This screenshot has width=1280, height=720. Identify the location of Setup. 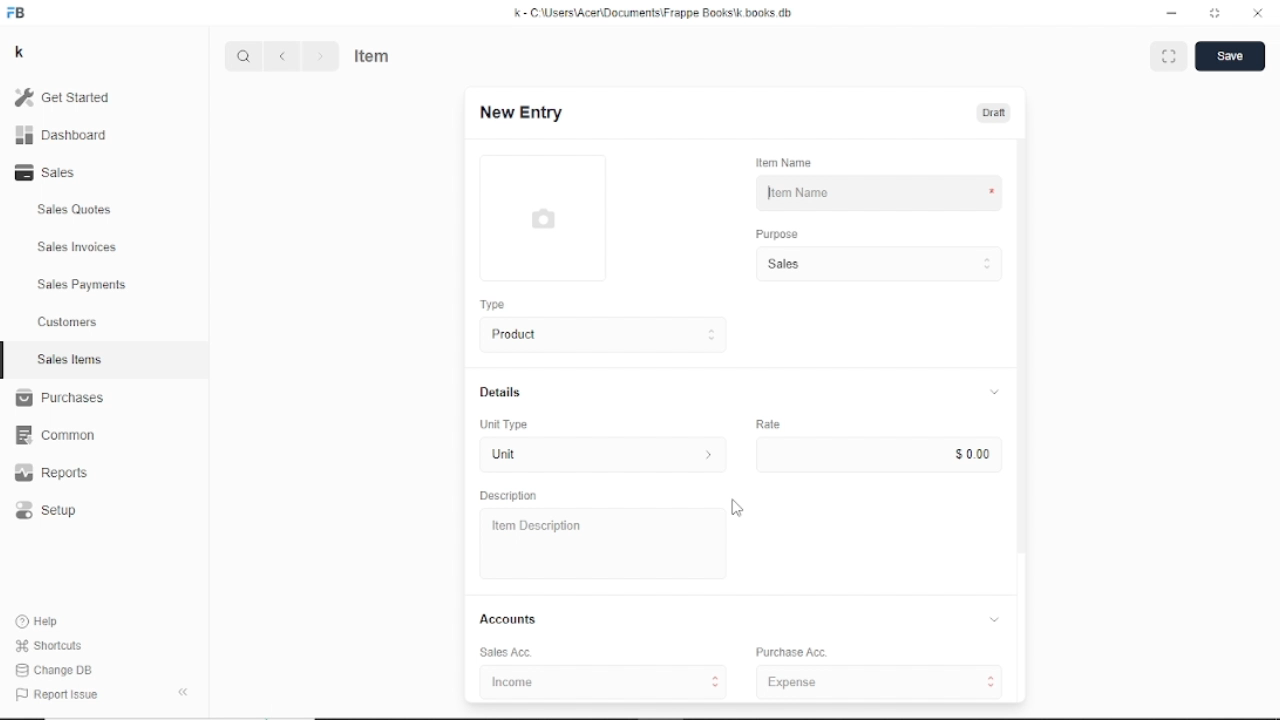
(47, 511).